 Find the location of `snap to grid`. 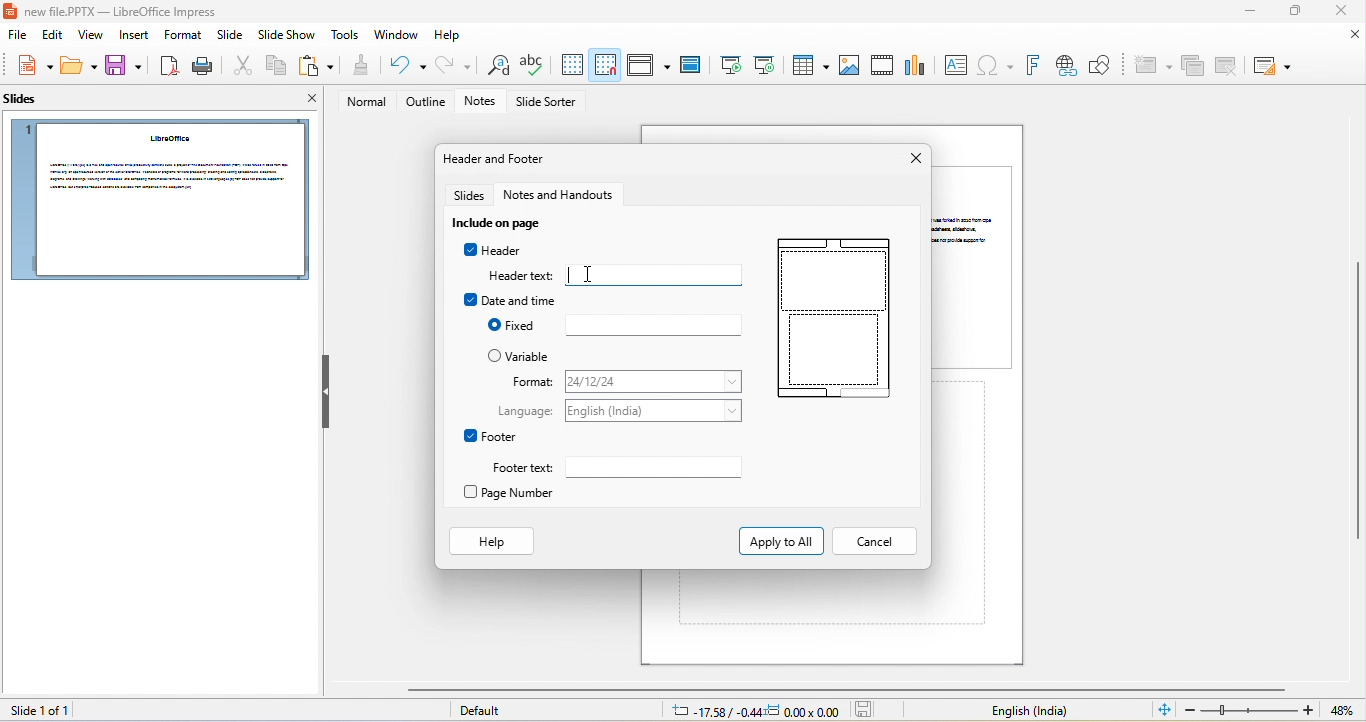

snap to grid is located at coordinates (606, 64).